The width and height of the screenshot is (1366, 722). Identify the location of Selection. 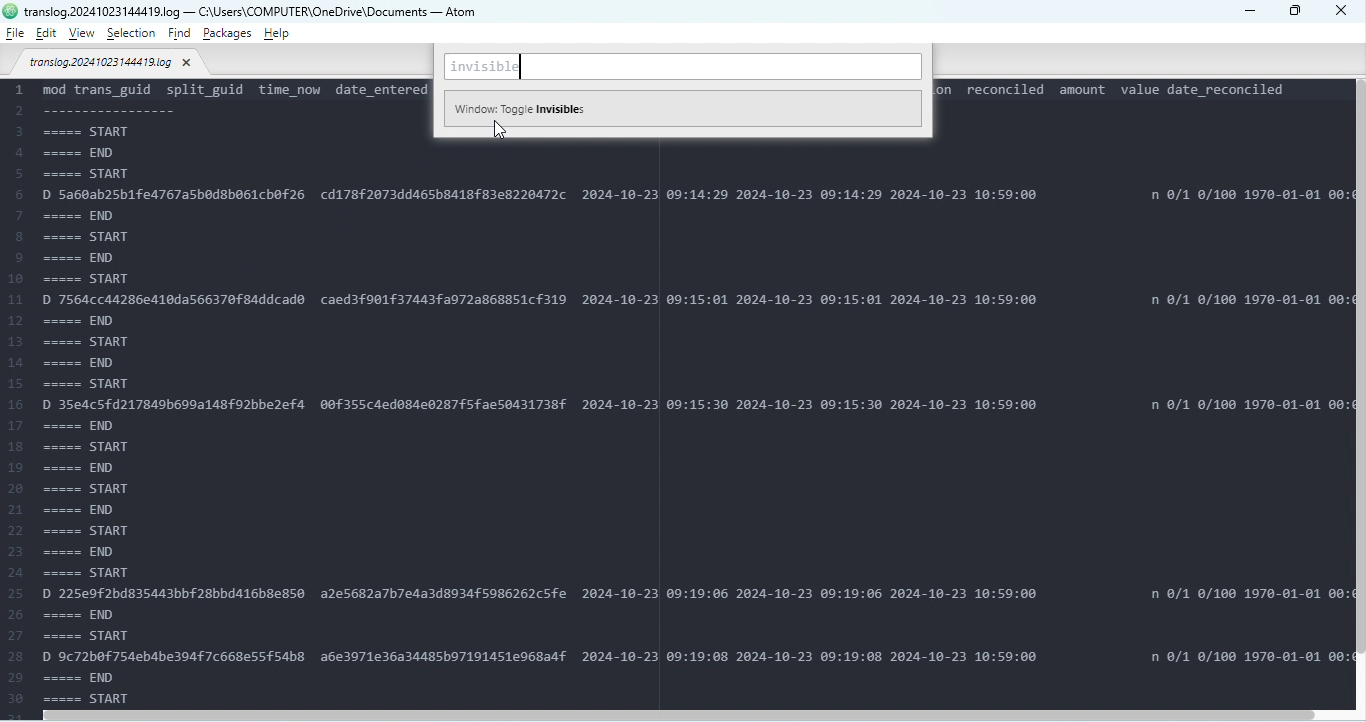
(133, 34).